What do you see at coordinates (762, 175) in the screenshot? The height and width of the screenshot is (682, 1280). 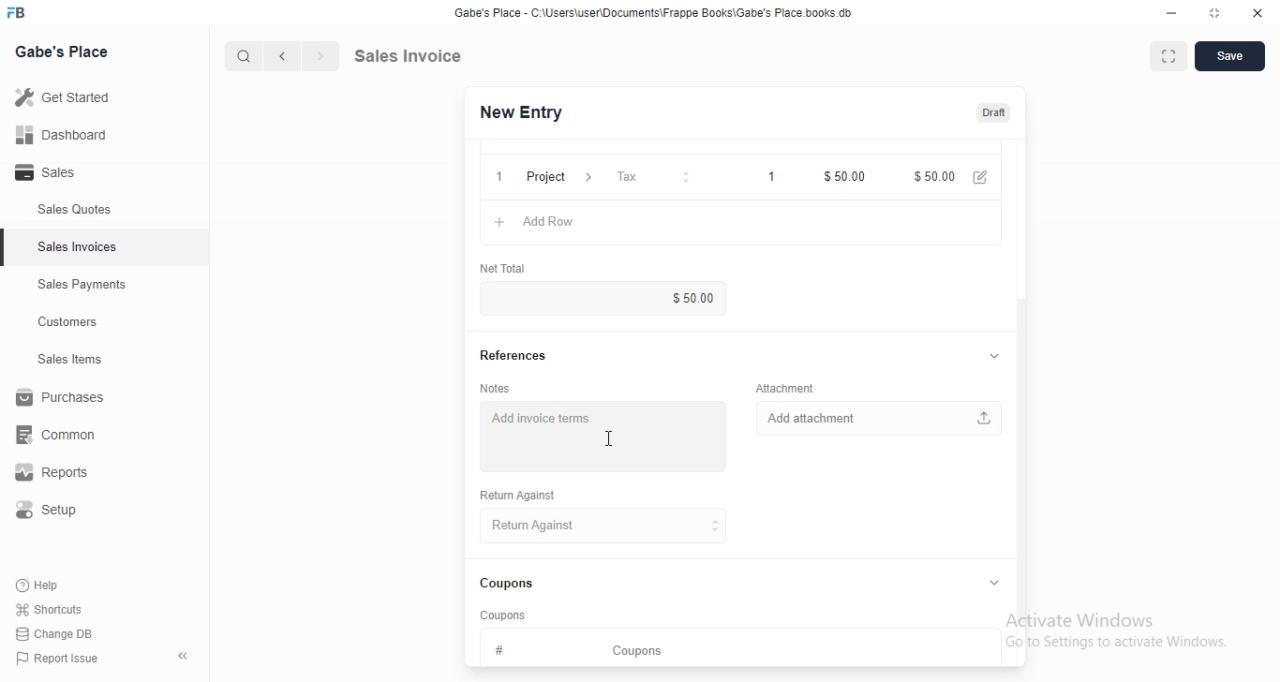 I see `1` at bounding box center [762, 175].